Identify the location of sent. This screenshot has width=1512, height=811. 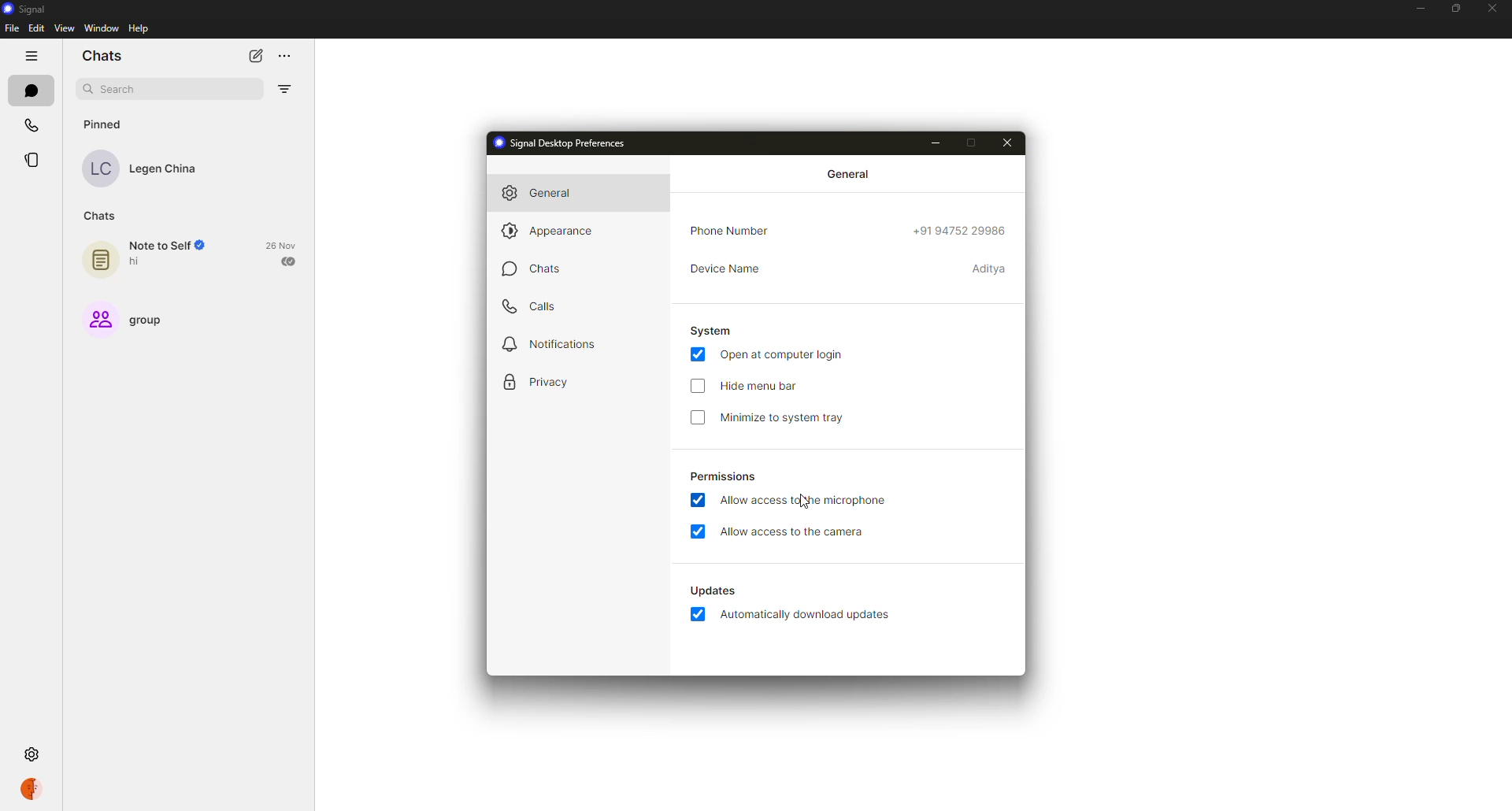
(290, 261).